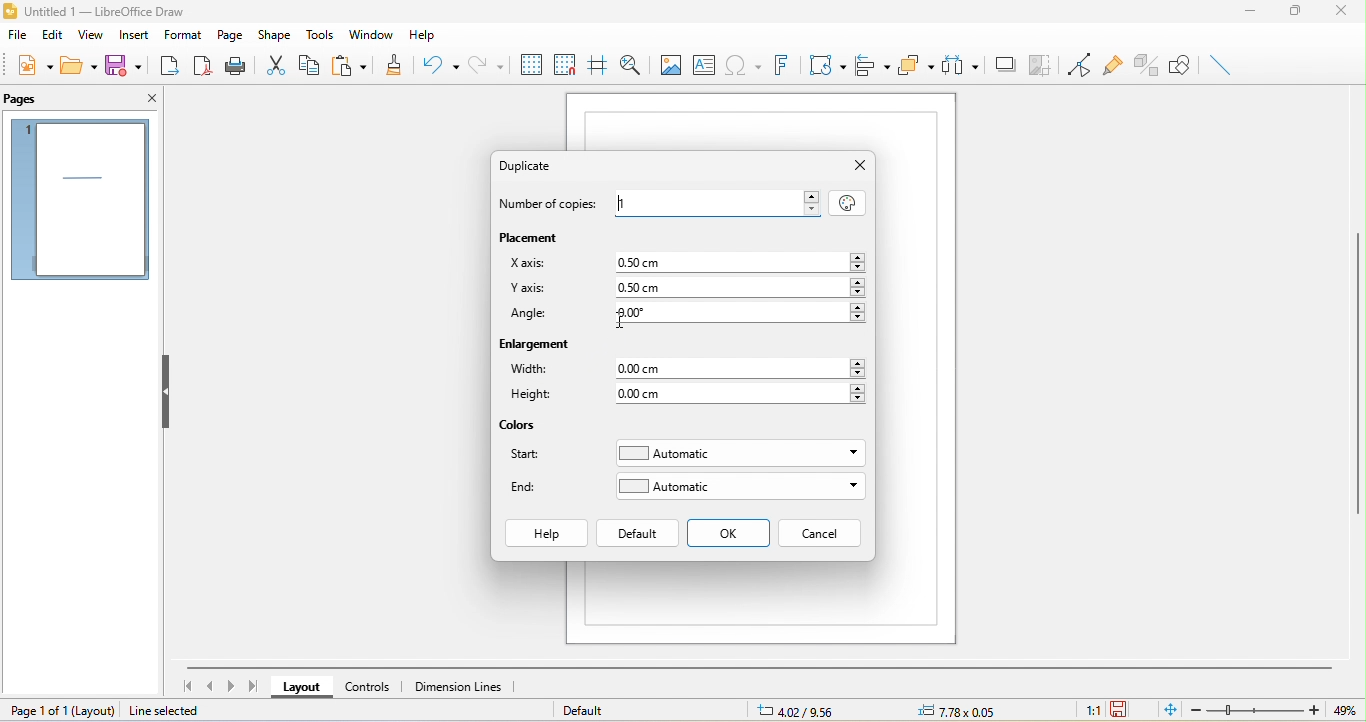 This screenshot has height=722, width=1366. I want to click on arrange, so click(917, 67).